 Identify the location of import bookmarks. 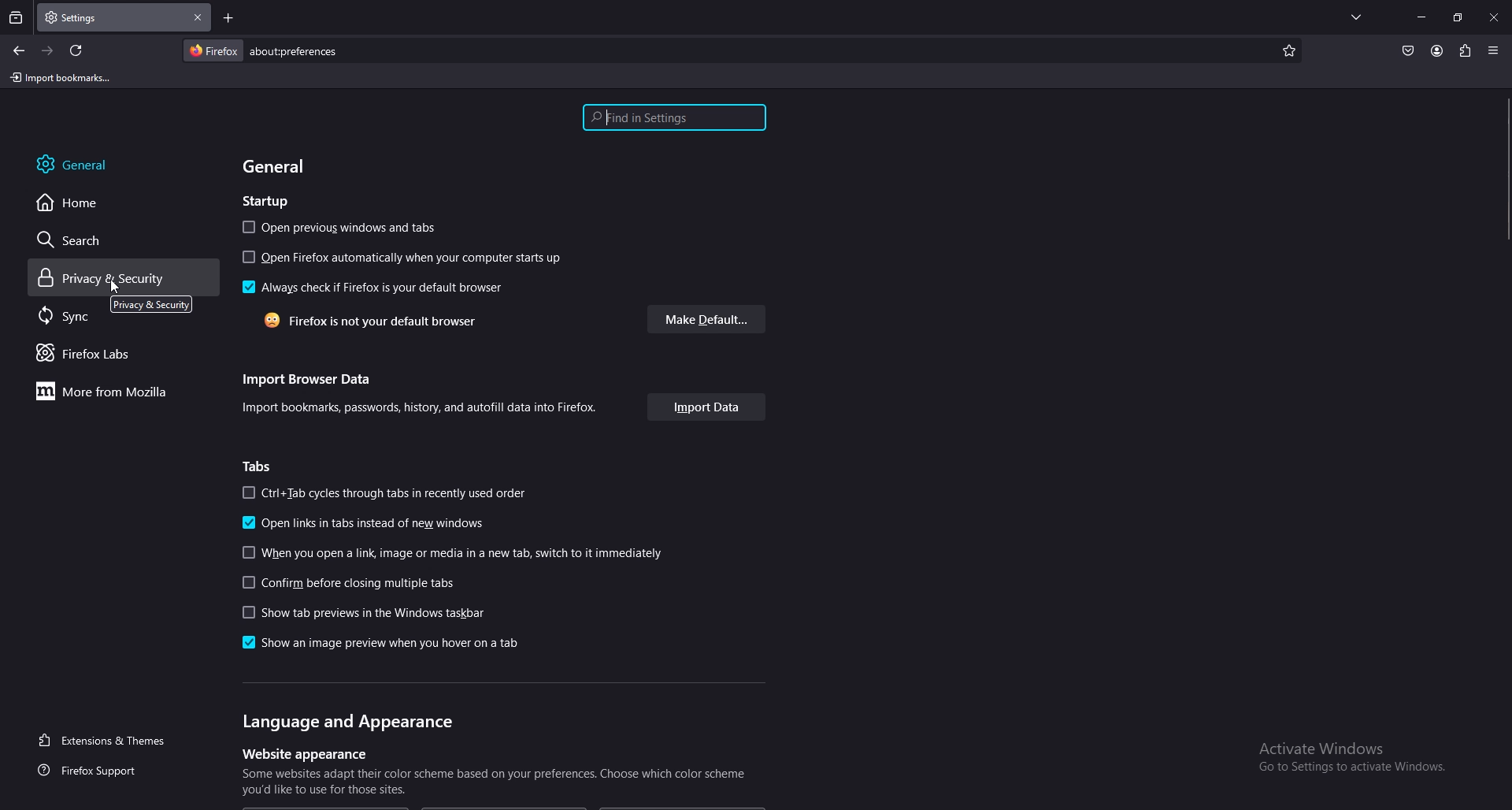
(61, 79).